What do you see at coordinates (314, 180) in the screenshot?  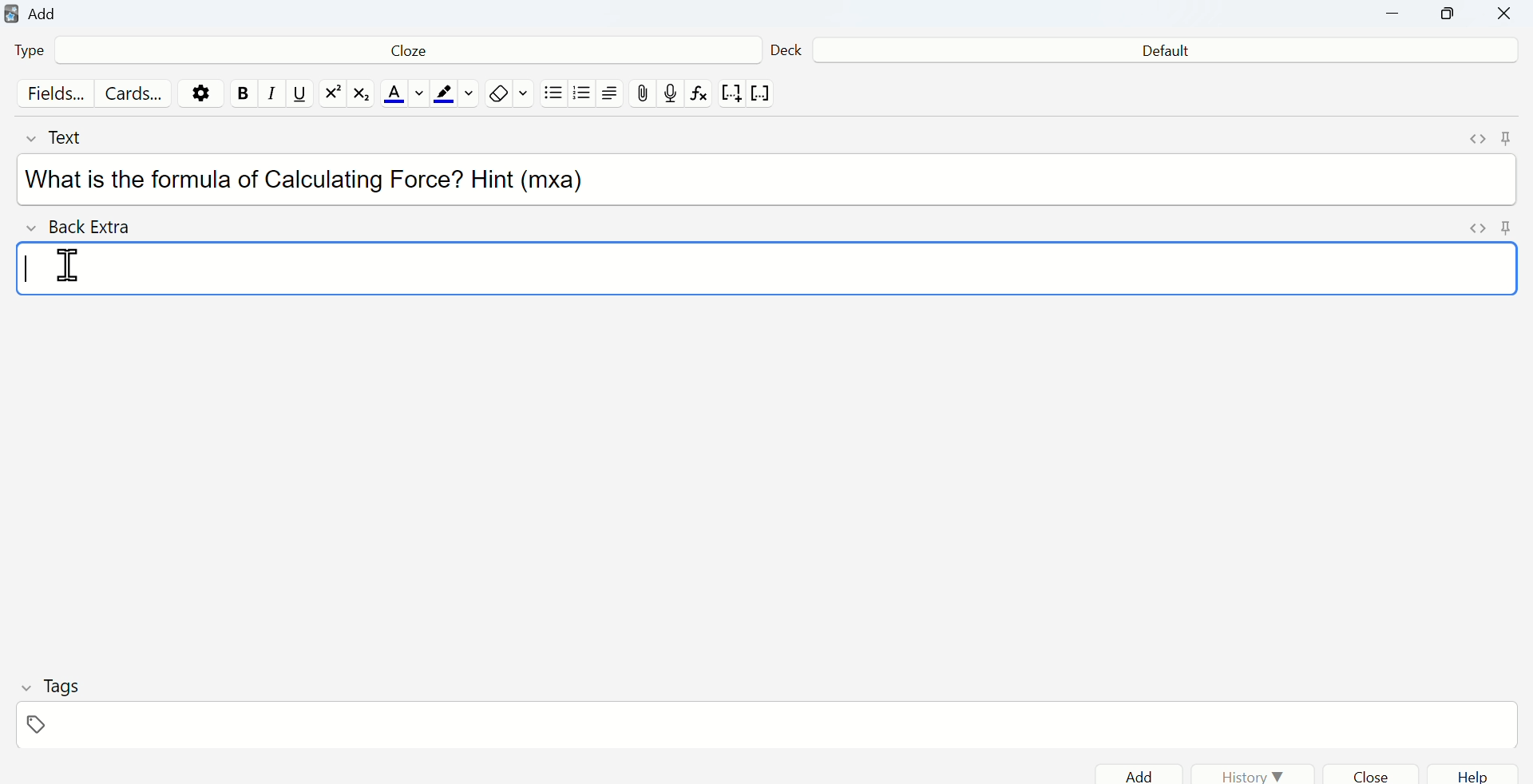 I see `What is the formula of Calculating Force? Hint (mxa)` at bounding box center [314, 180].